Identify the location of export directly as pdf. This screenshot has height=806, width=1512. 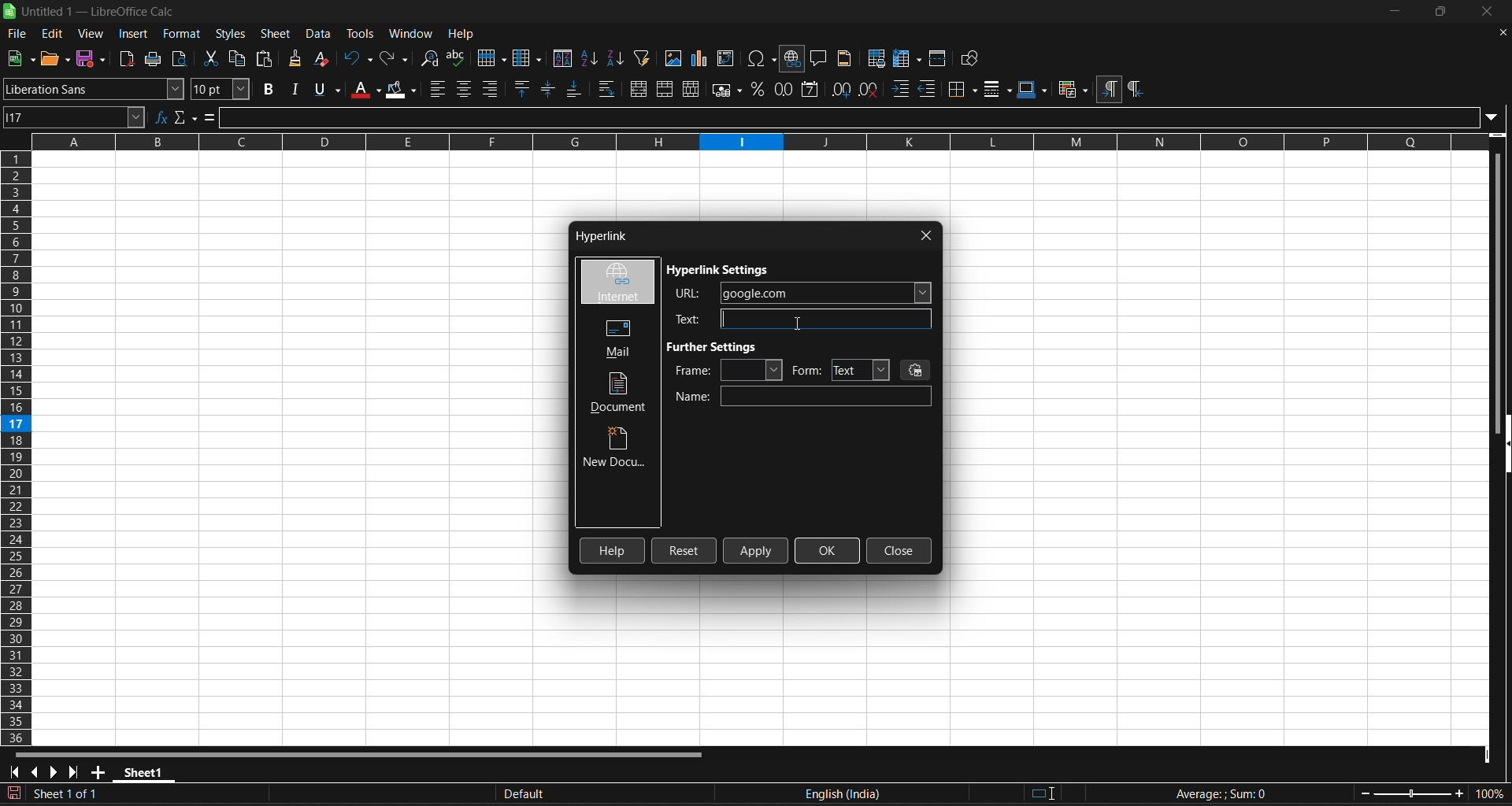
(128, 58).